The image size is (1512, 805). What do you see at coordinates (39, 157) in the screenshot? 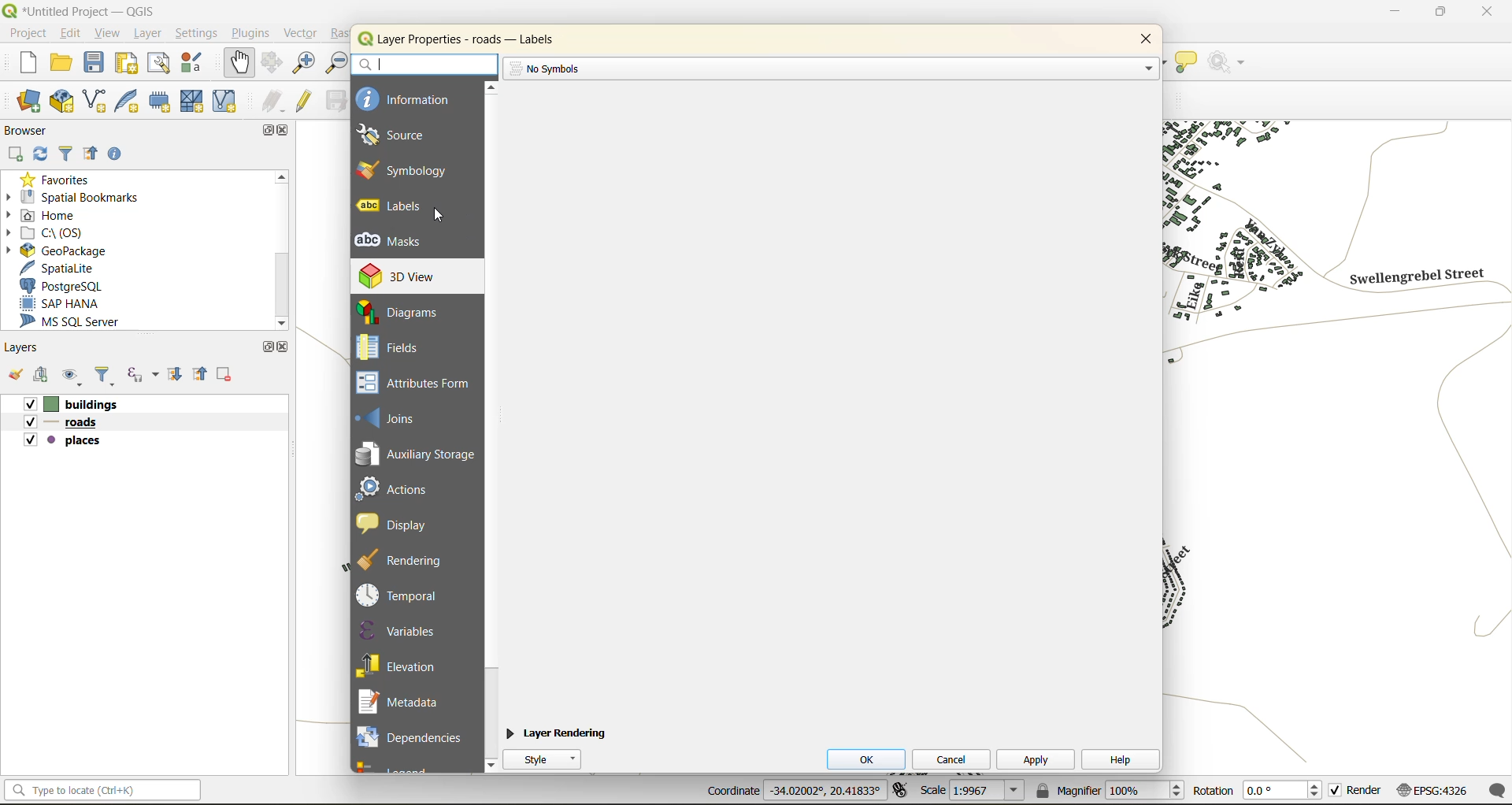
I see `refresh` at bounding box center [39, 157].